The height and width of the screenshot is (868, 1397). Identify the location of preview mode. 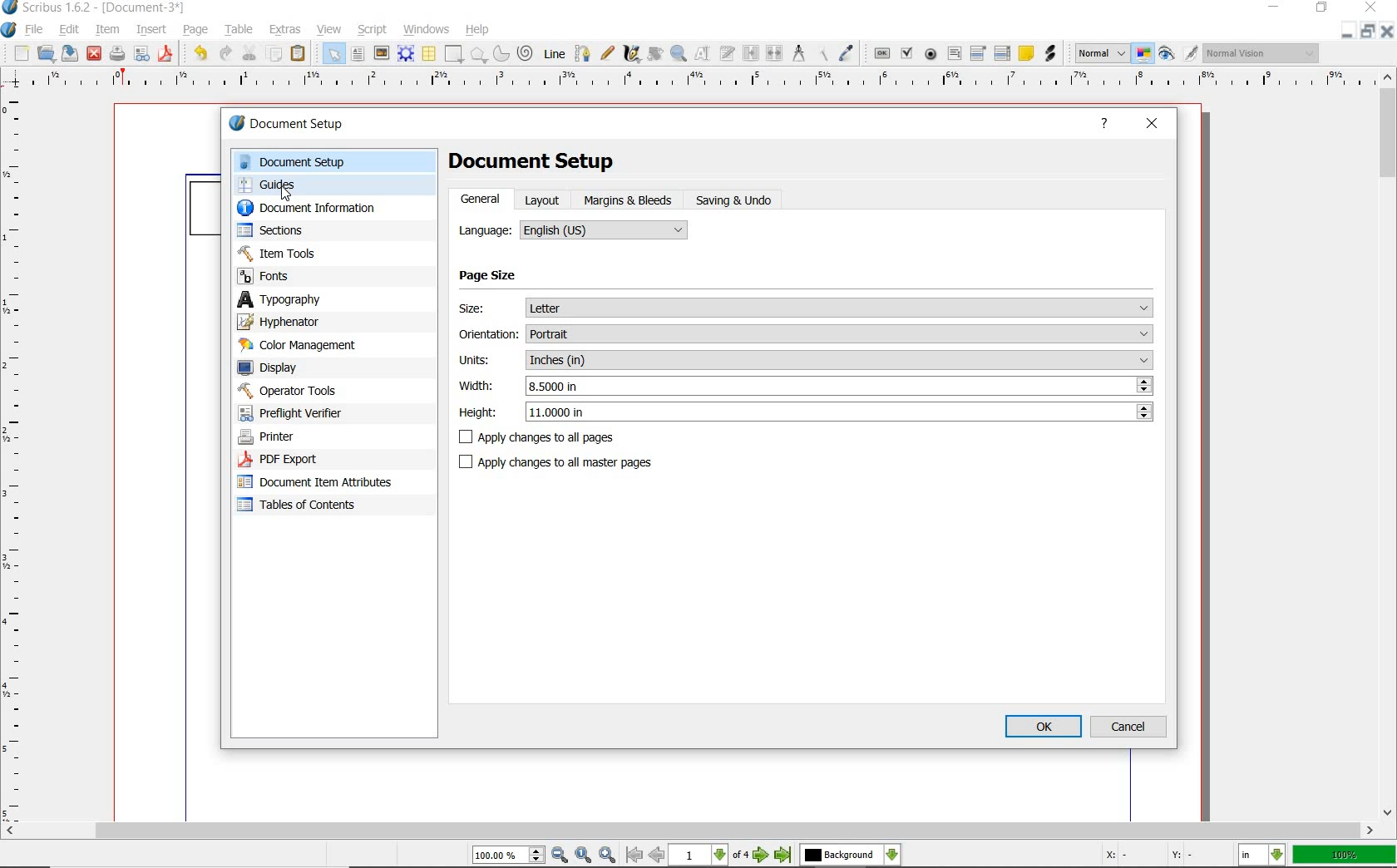
(1178, 52).